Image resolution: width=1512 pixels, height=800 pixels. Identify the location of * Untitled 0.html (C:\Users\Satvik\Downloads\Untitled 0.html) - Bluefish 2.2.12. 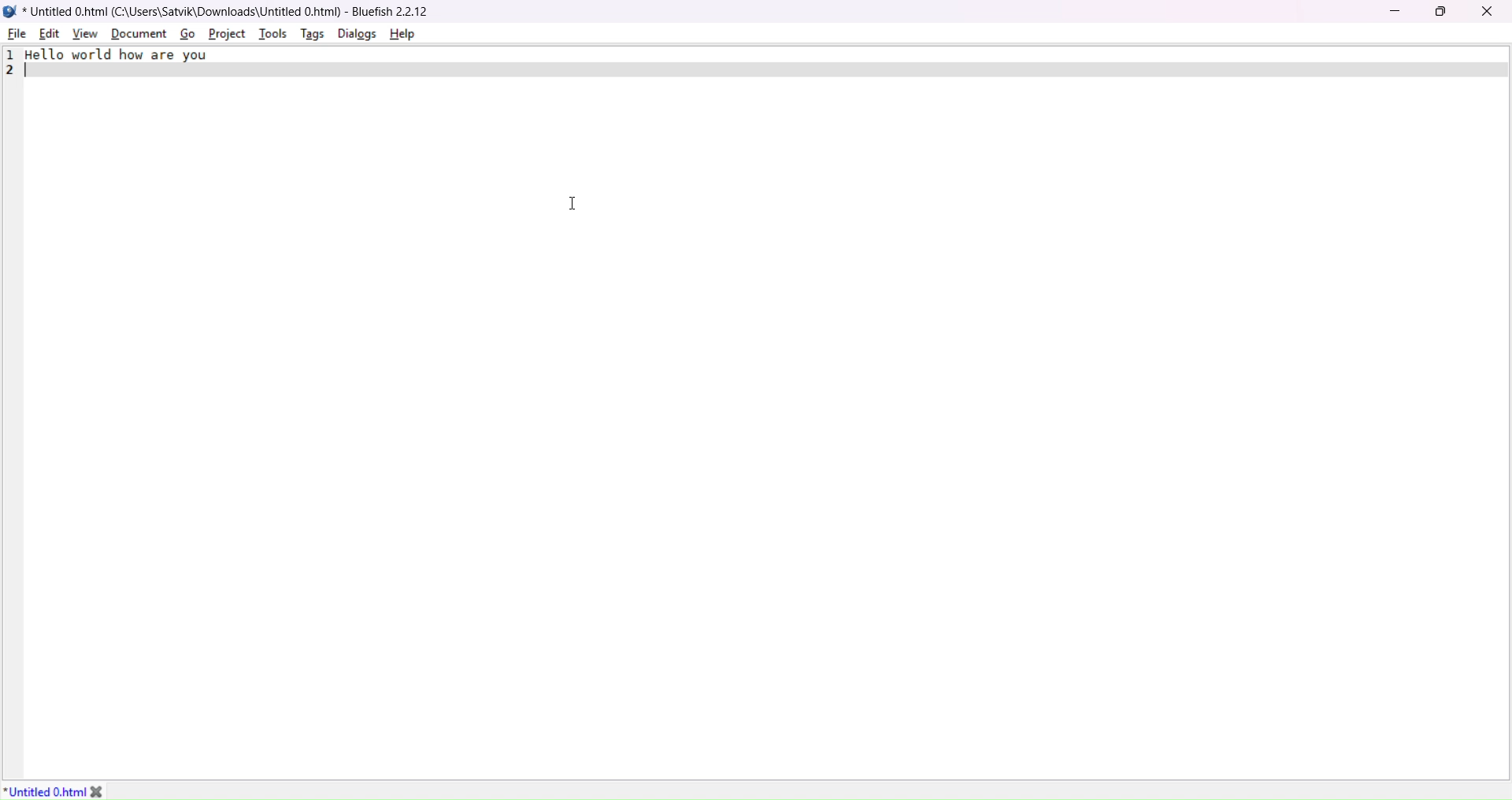
(232, 9).